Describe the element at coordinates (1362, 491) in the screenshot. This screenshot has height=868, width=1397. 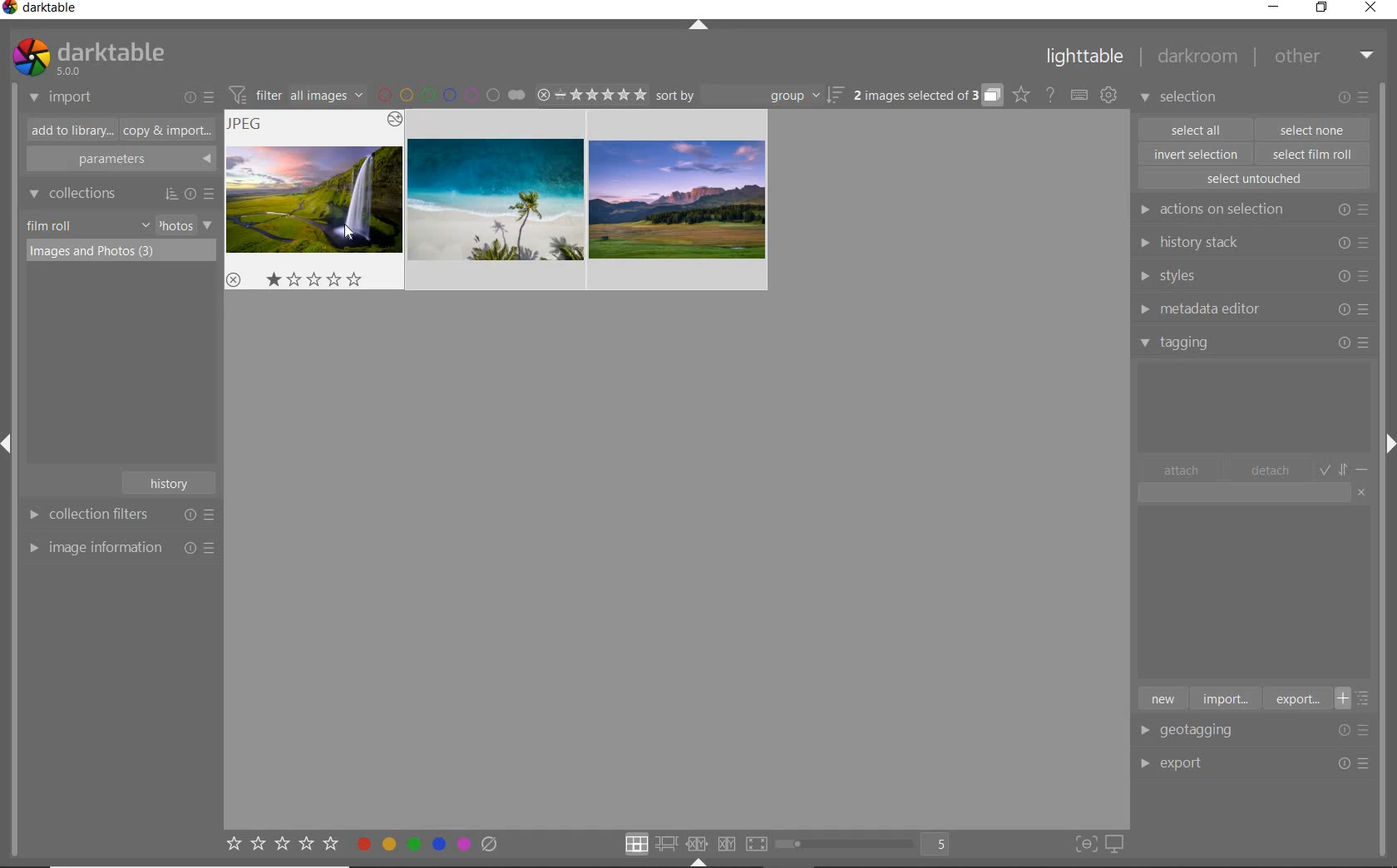
I see `clear entry` at that location.